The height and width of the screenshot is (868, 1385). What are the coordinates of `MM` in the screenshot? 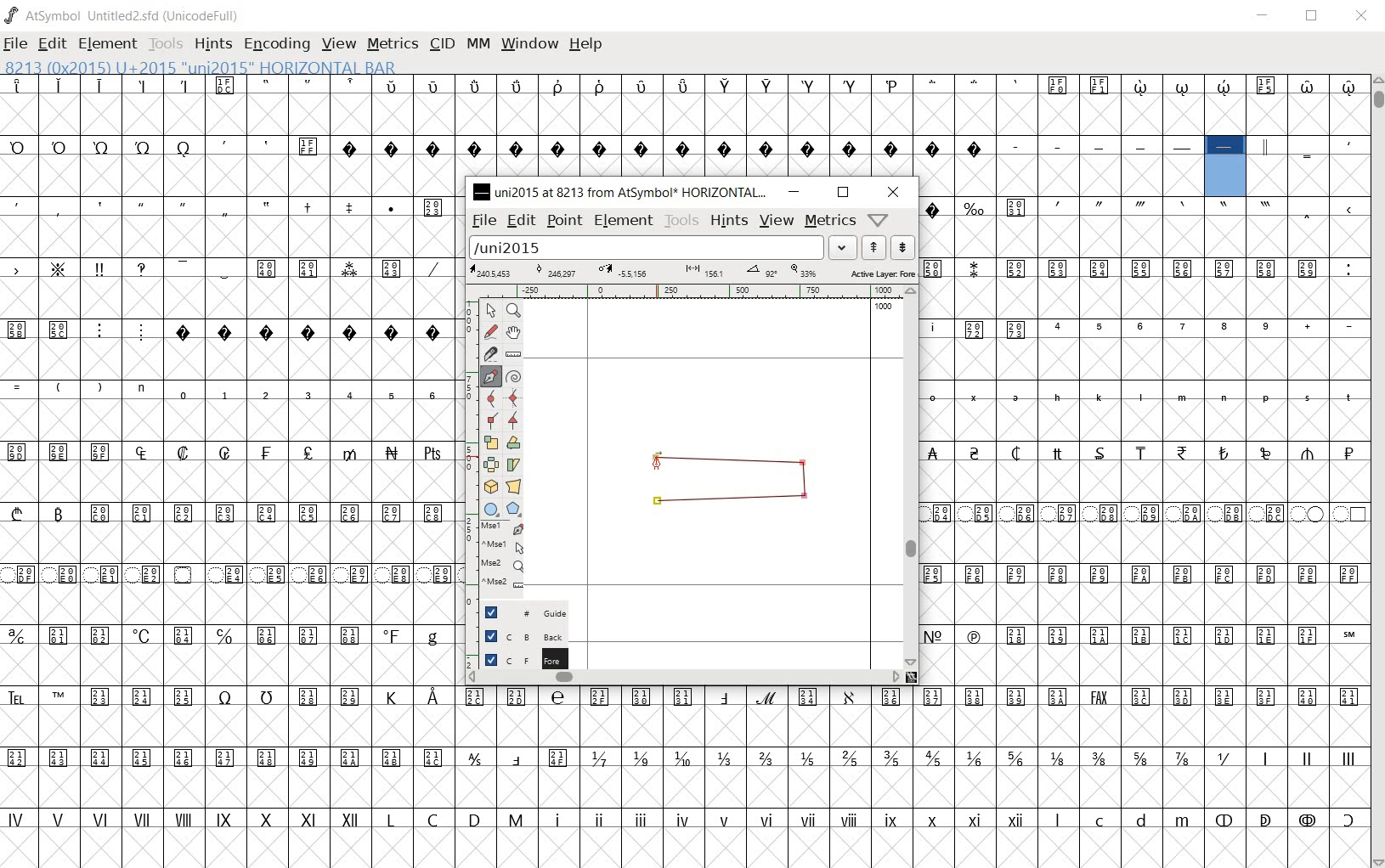 It's located at (479, 45).